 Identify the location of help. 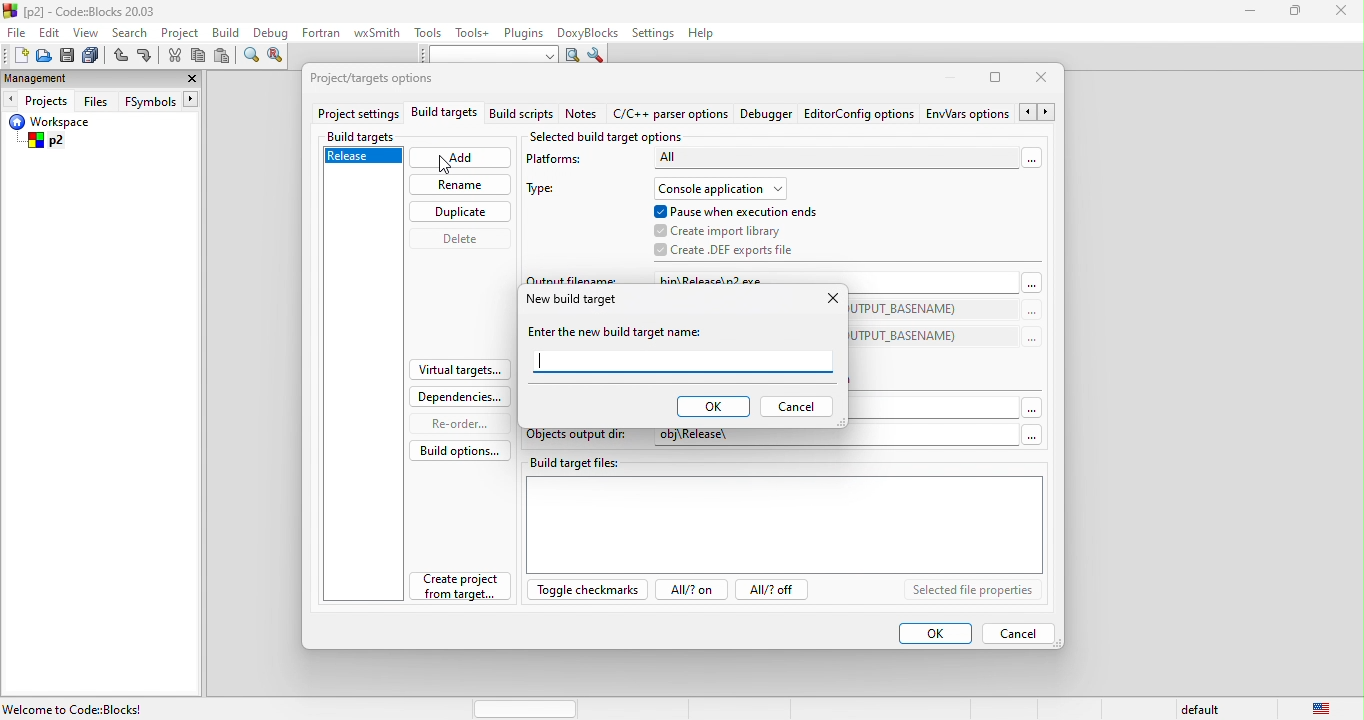
(701, 35).